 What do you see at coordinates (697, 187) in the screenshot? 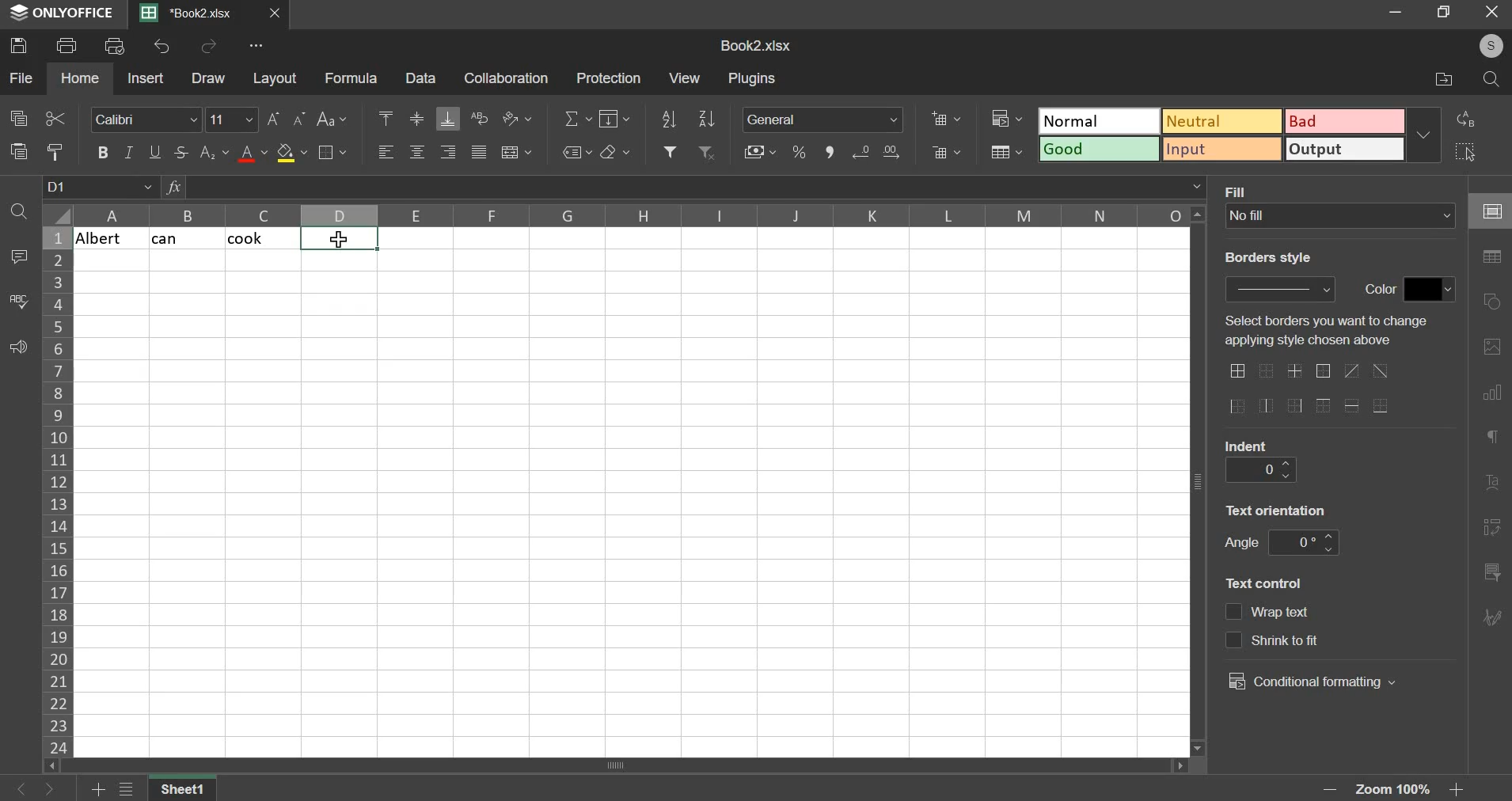
I see `formula bar` at bounding box center [697, 187].